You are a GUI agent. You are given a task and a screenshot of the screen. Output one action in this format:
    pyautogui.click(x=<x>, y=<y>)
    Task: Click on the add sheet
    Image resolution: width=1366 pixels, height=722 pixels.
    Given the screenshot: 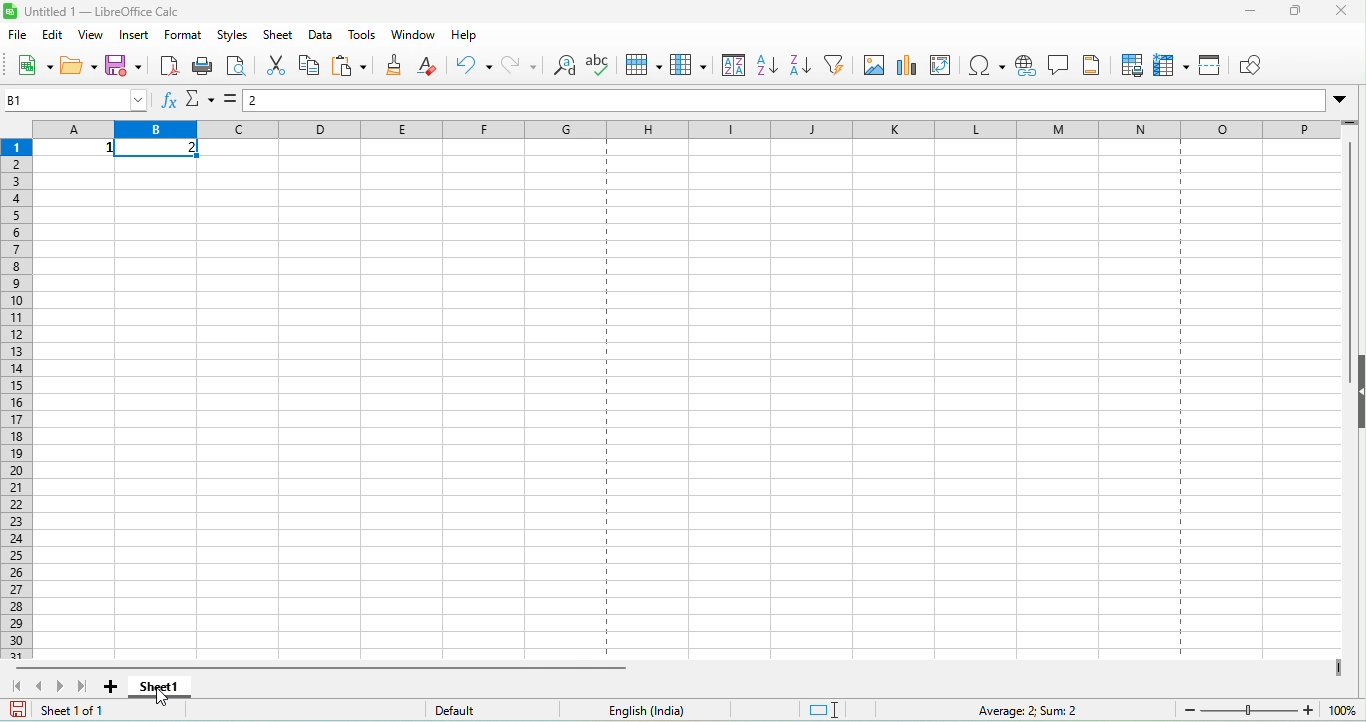 What is the action you would take?
    pyautogui.click(x=110, y=687)
    